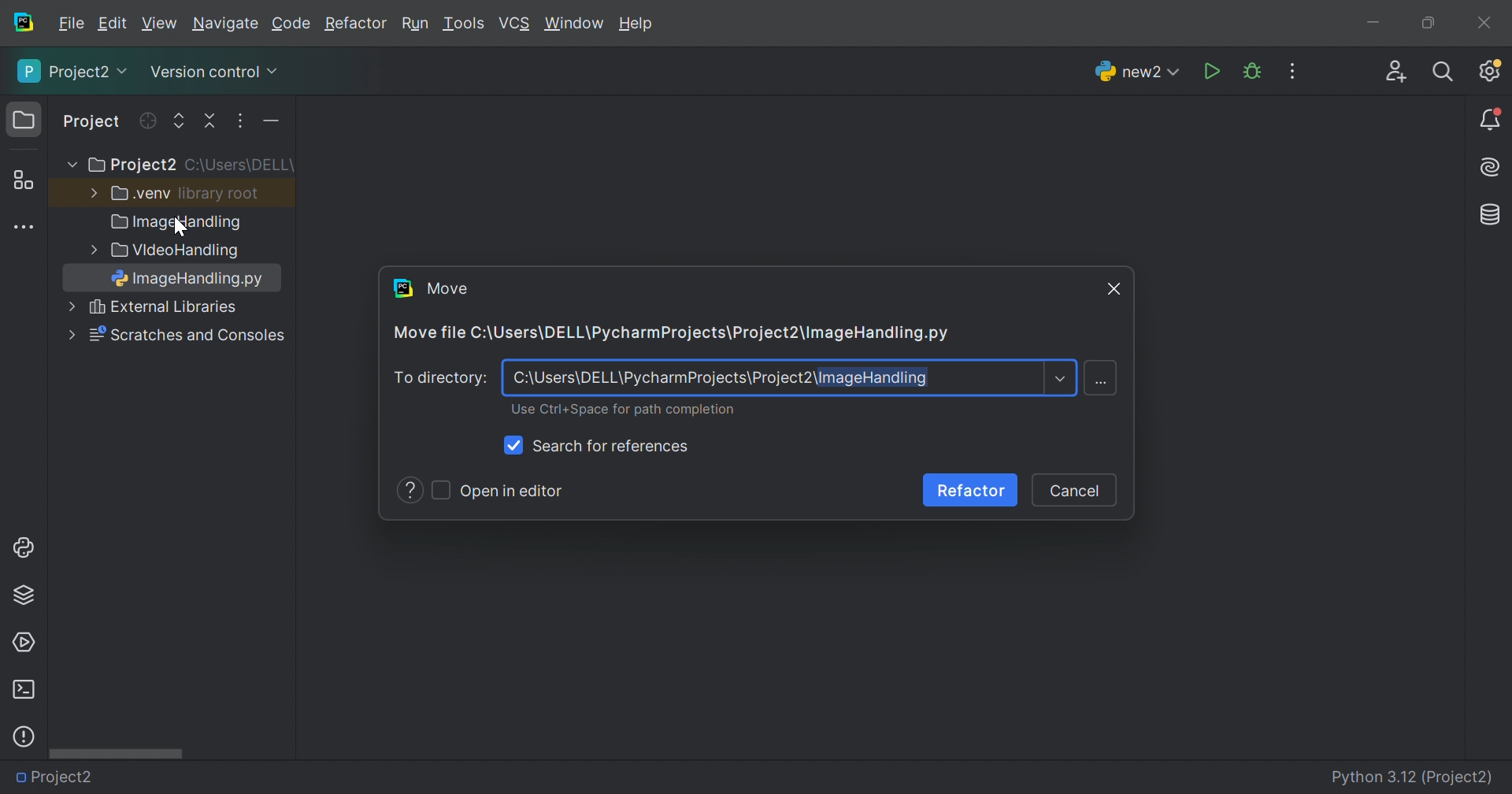  Describe the element at coordinates (1427, 24) in the screenshot. I see `Restore down` at that location.